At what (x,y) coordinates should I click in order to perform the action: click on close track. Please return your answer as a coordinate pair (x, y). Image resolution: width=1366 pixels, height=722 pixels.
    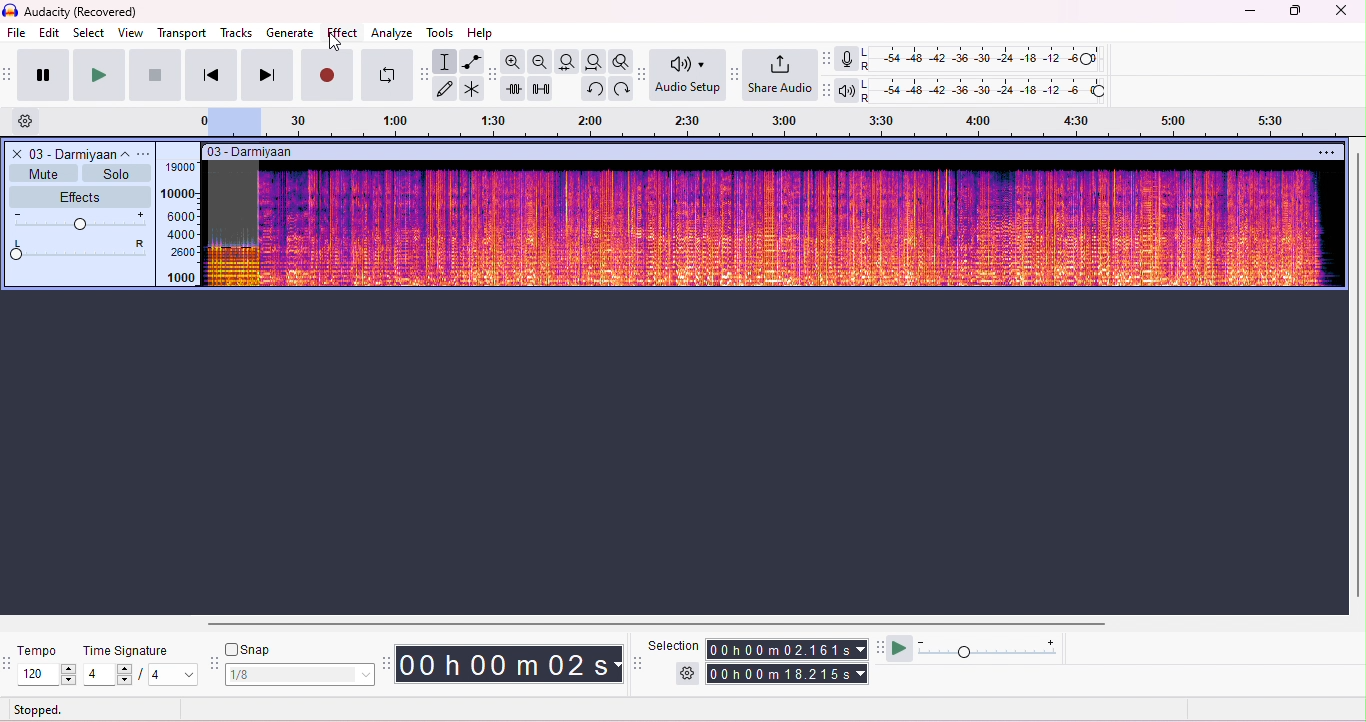
    Looking at the image, I should click on (15, 153).